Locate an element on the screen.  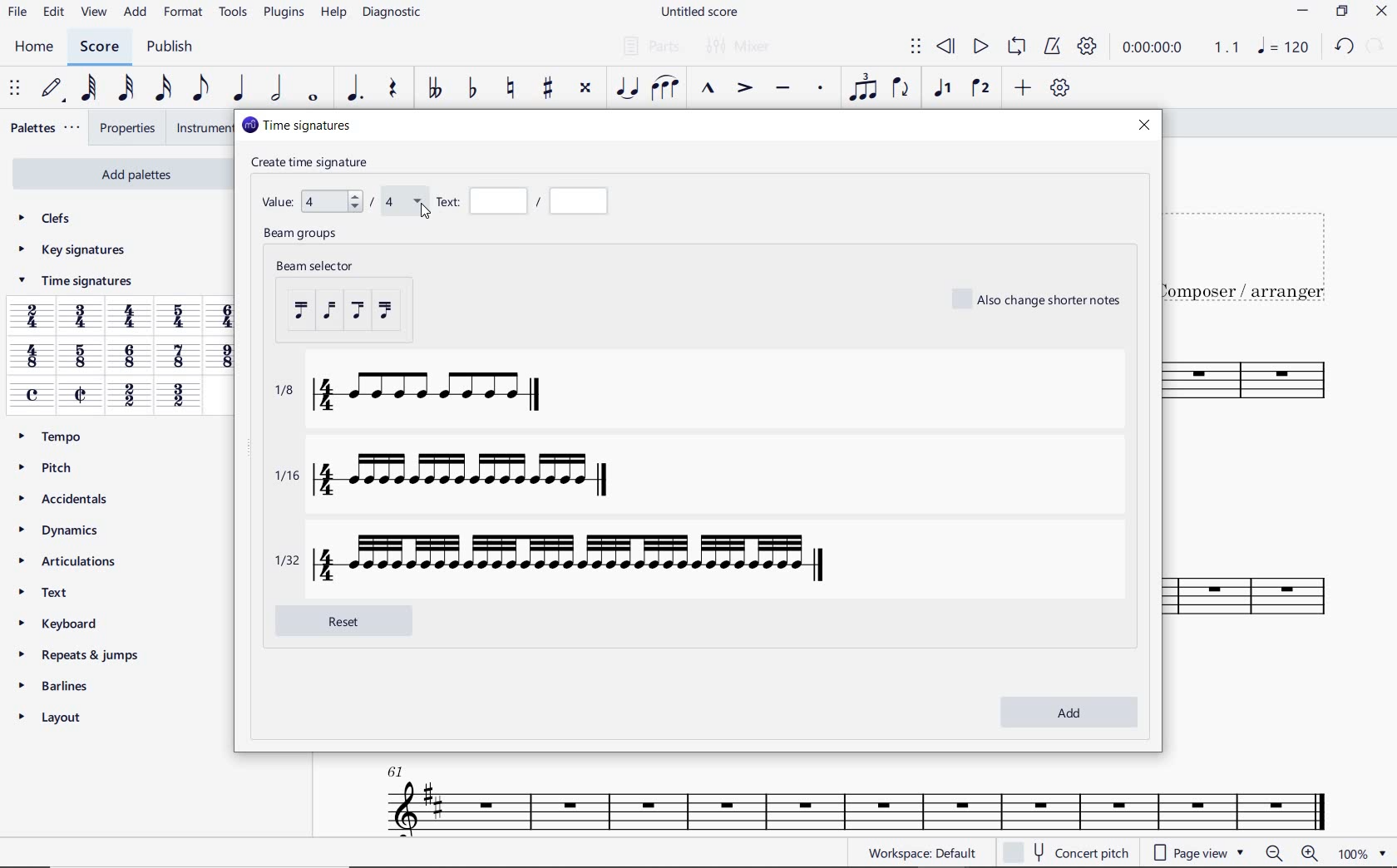
TUPLET is located at coordinates (861, 89).